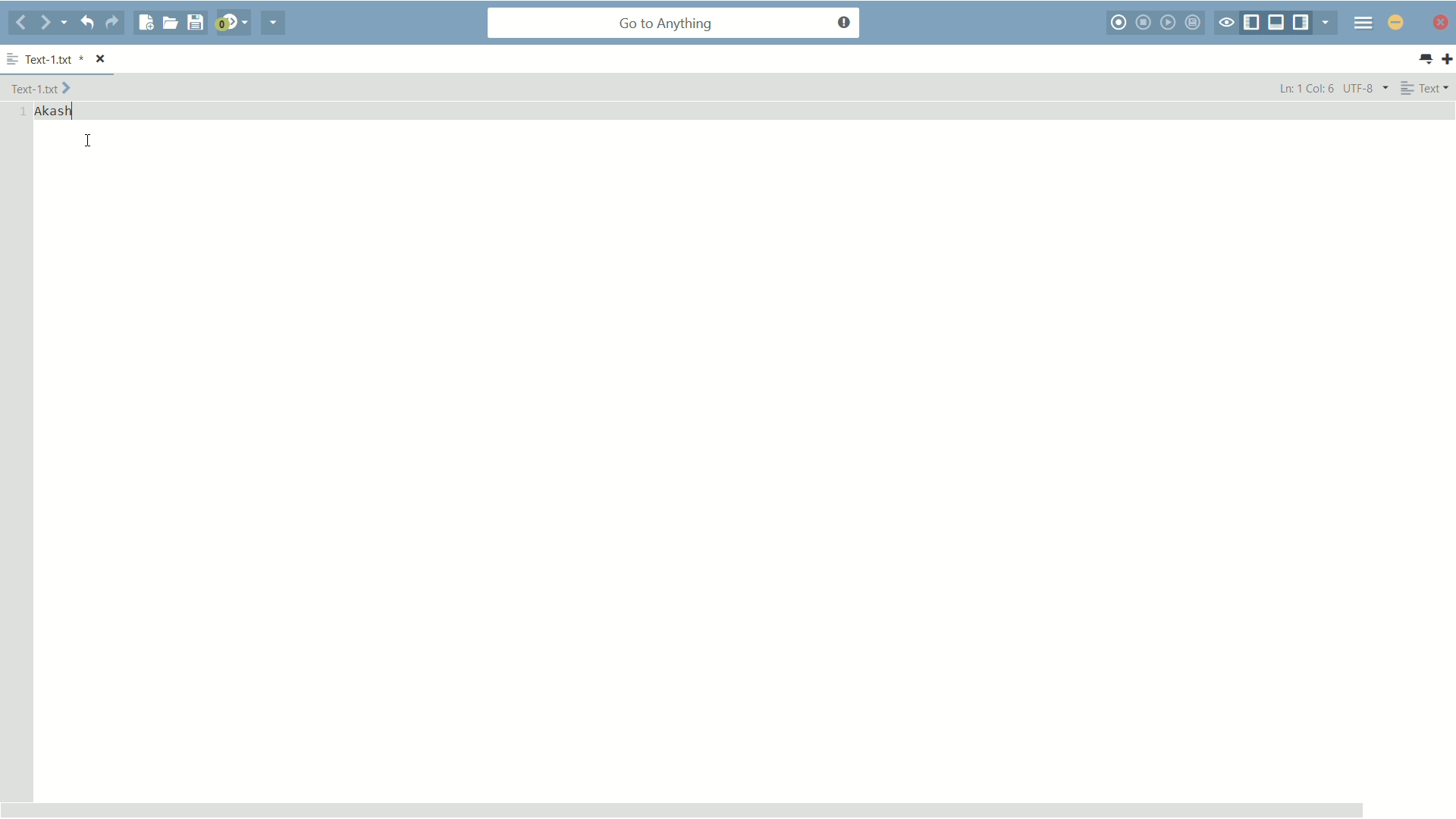 The image size is (1456, 819). I want to click on save macro to toolbox, so click(1194, 23).